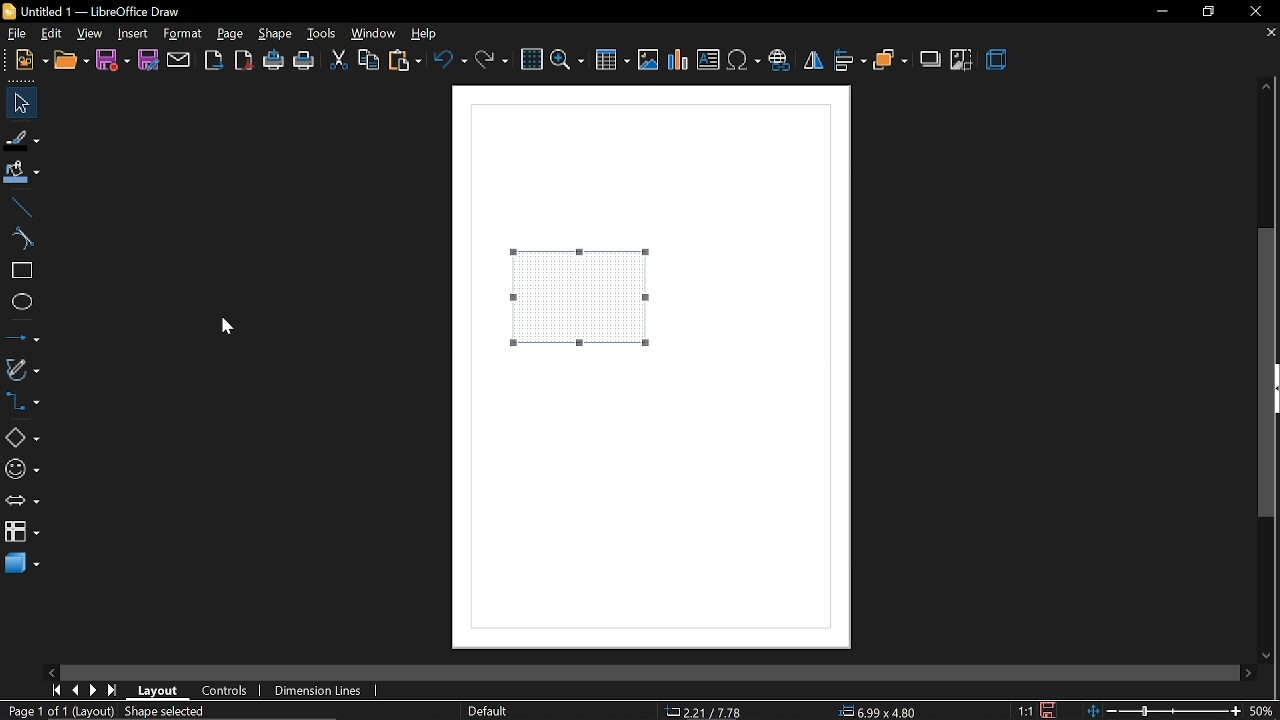  I want to click on undo, so click(449, 61).